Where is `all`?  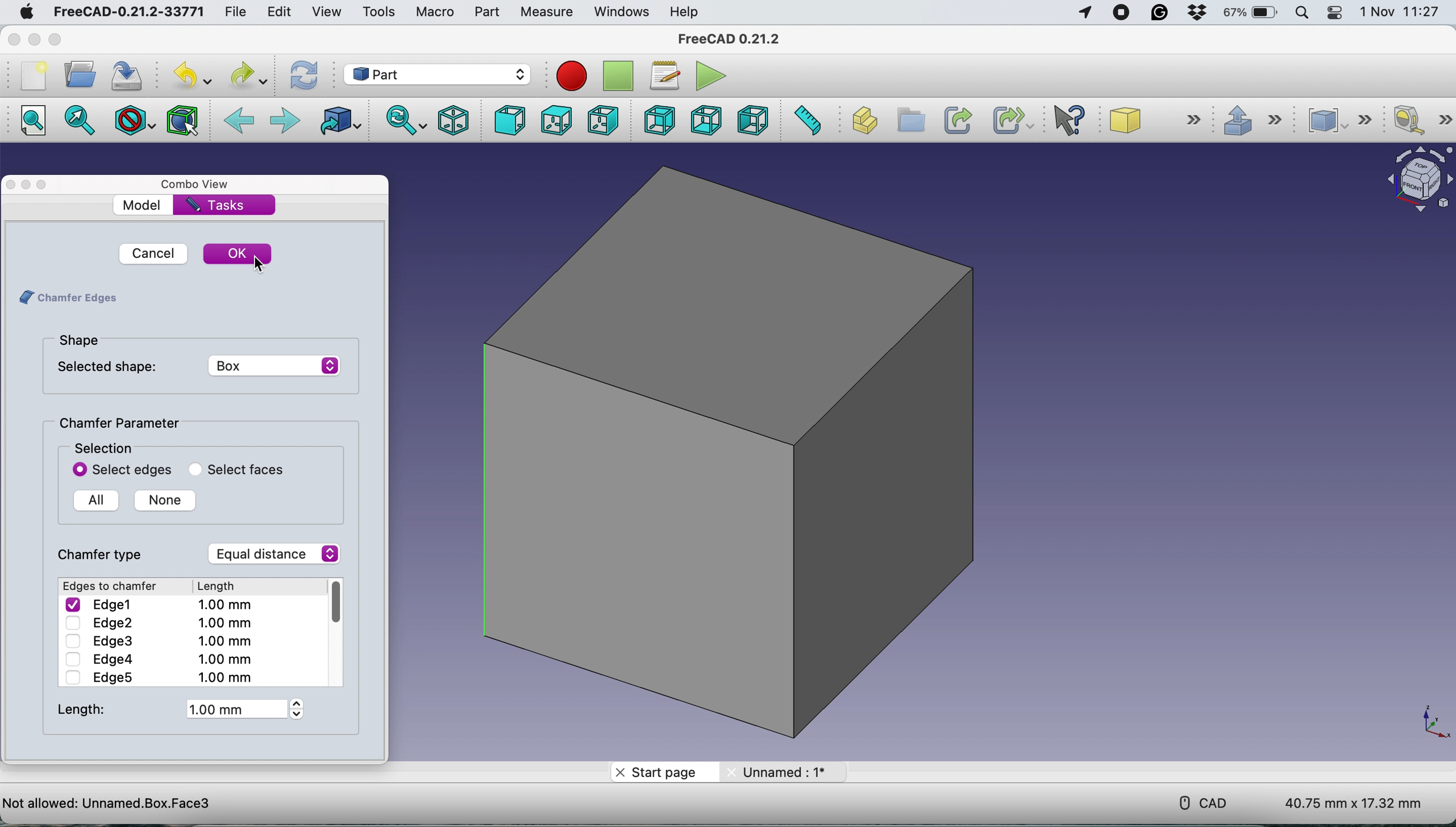
all is located at coordinates (98, 500).